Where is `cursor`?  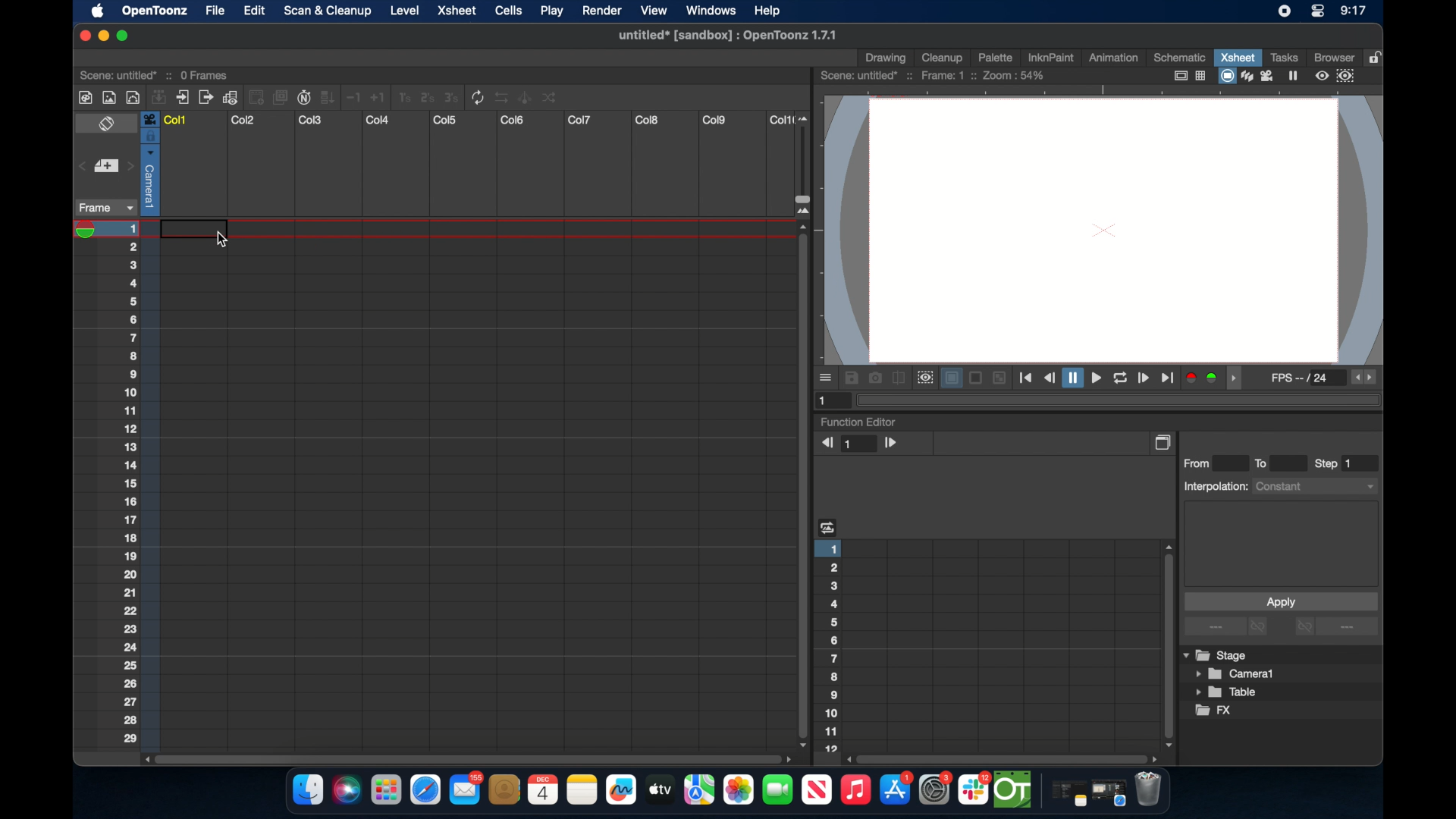 cursor is located at coordinates (223, 237).